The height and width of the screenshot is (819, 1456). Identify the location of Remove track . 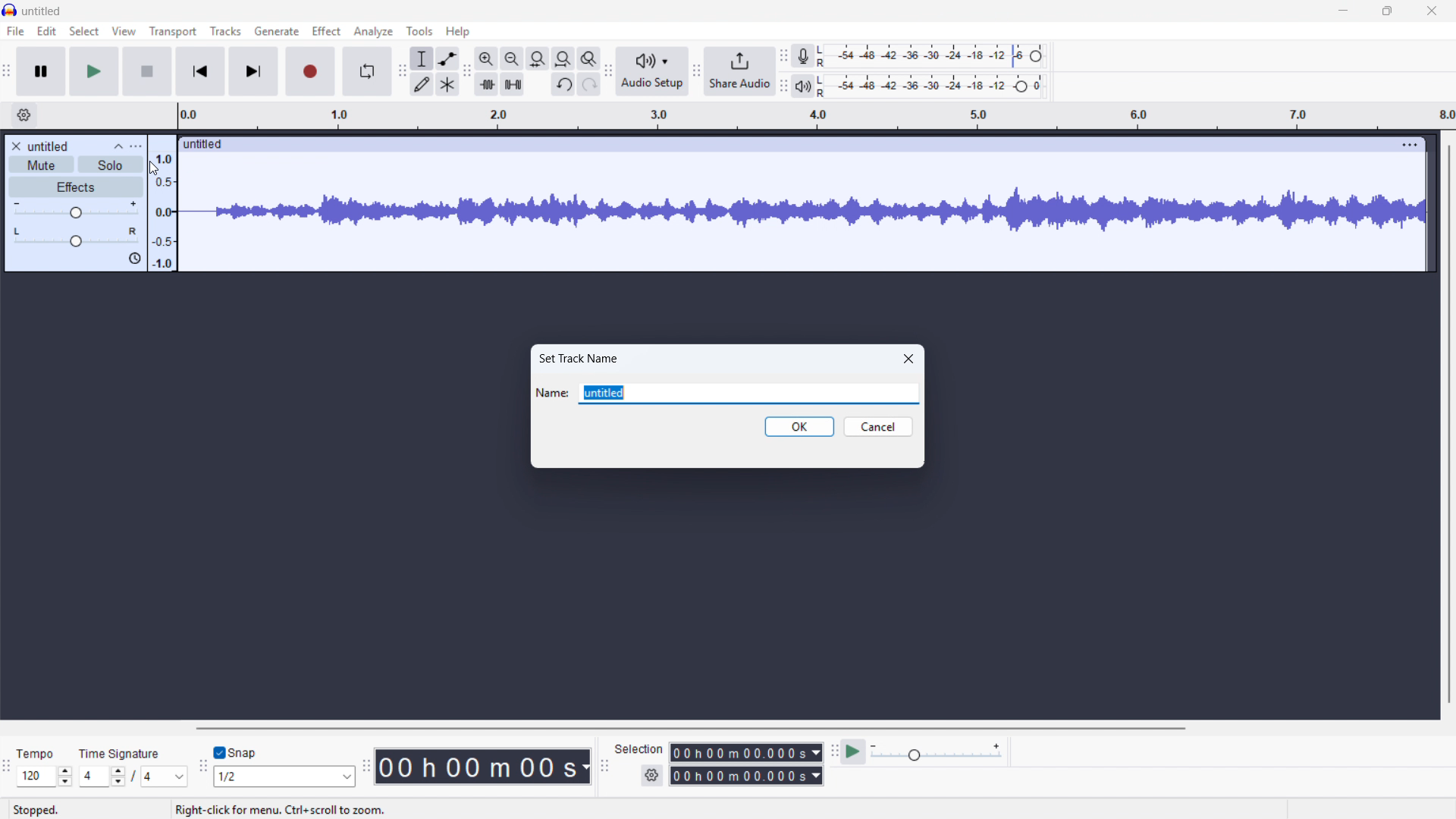
(16, 146).